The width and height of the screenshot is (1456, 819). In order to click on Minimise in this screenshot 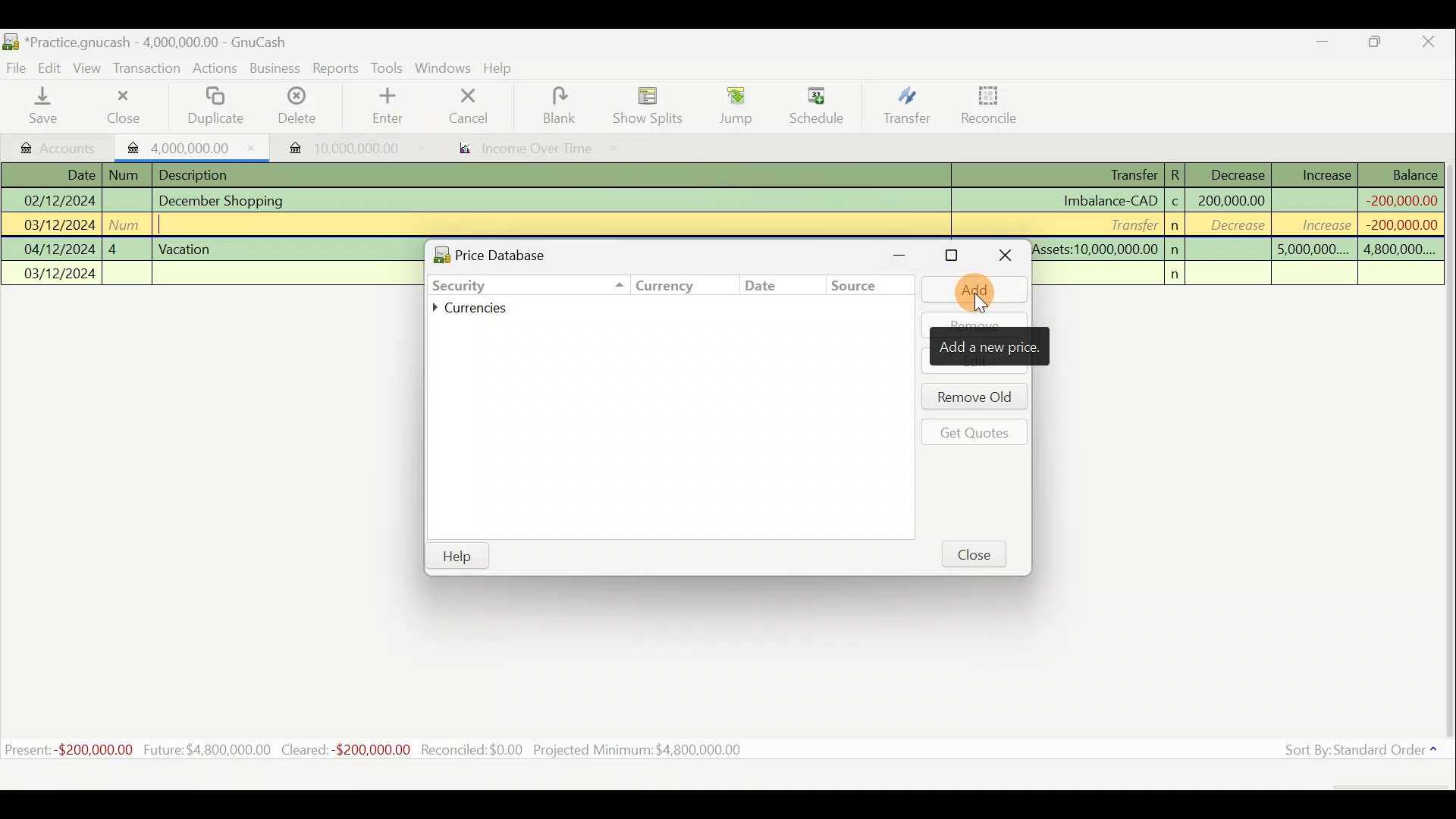, I will do `click(1325, 45)`.